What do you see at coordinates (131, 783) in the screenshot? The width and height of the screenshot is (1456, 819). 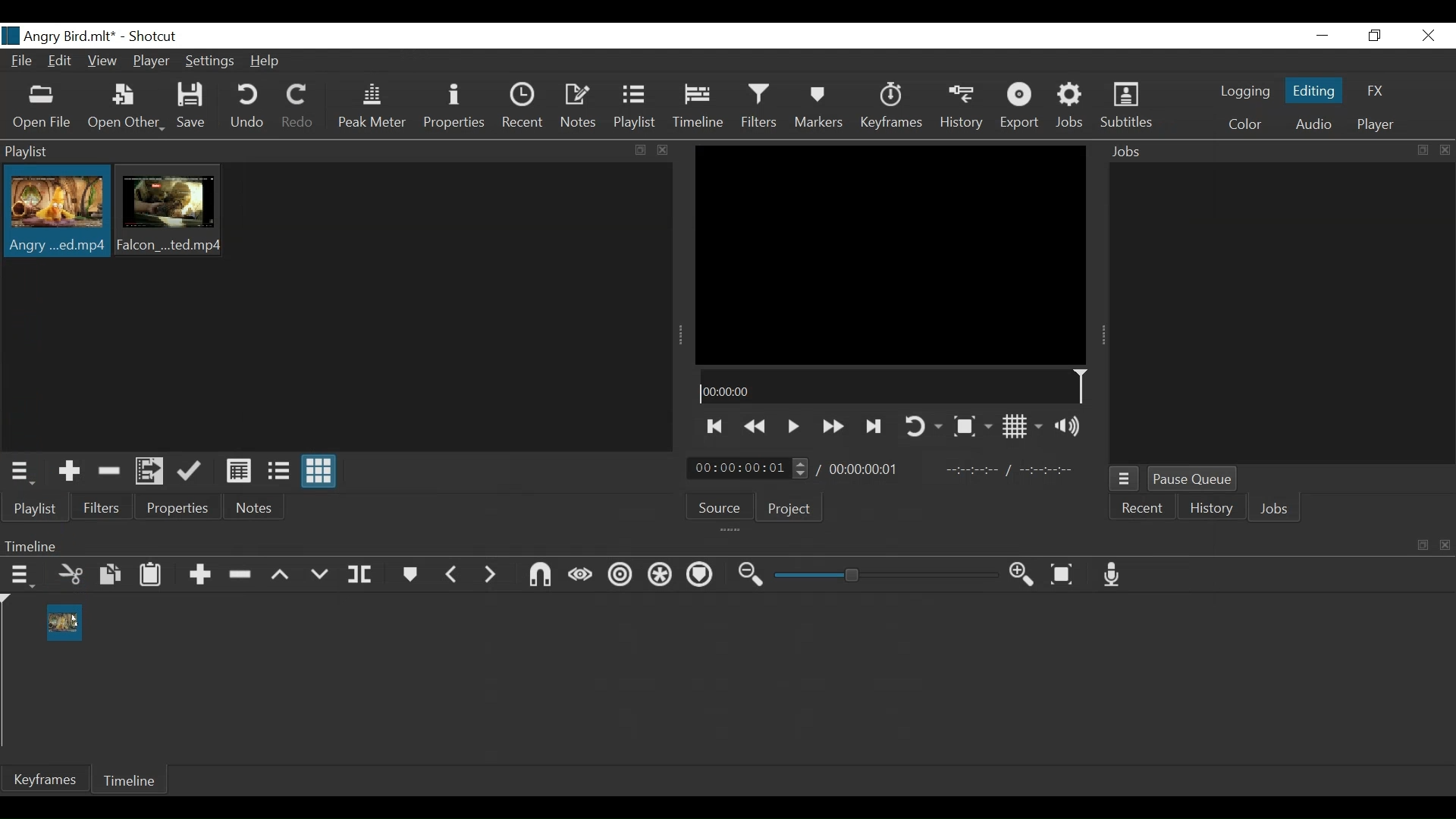 I see `Timeline` at bounding box center [131, 783].